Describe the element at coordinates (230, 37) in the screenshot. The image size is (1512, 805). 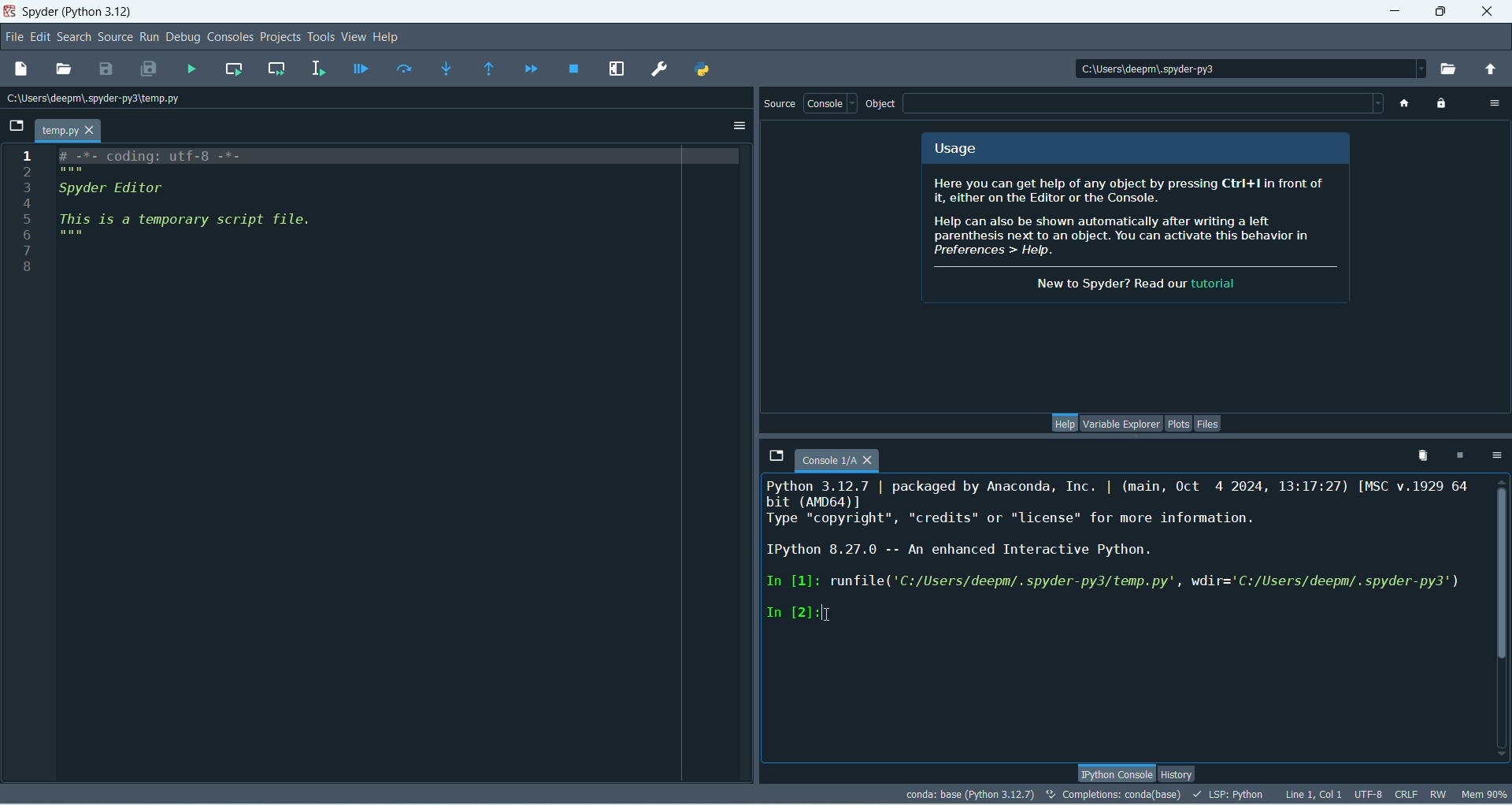
I see `consoles` at that location.